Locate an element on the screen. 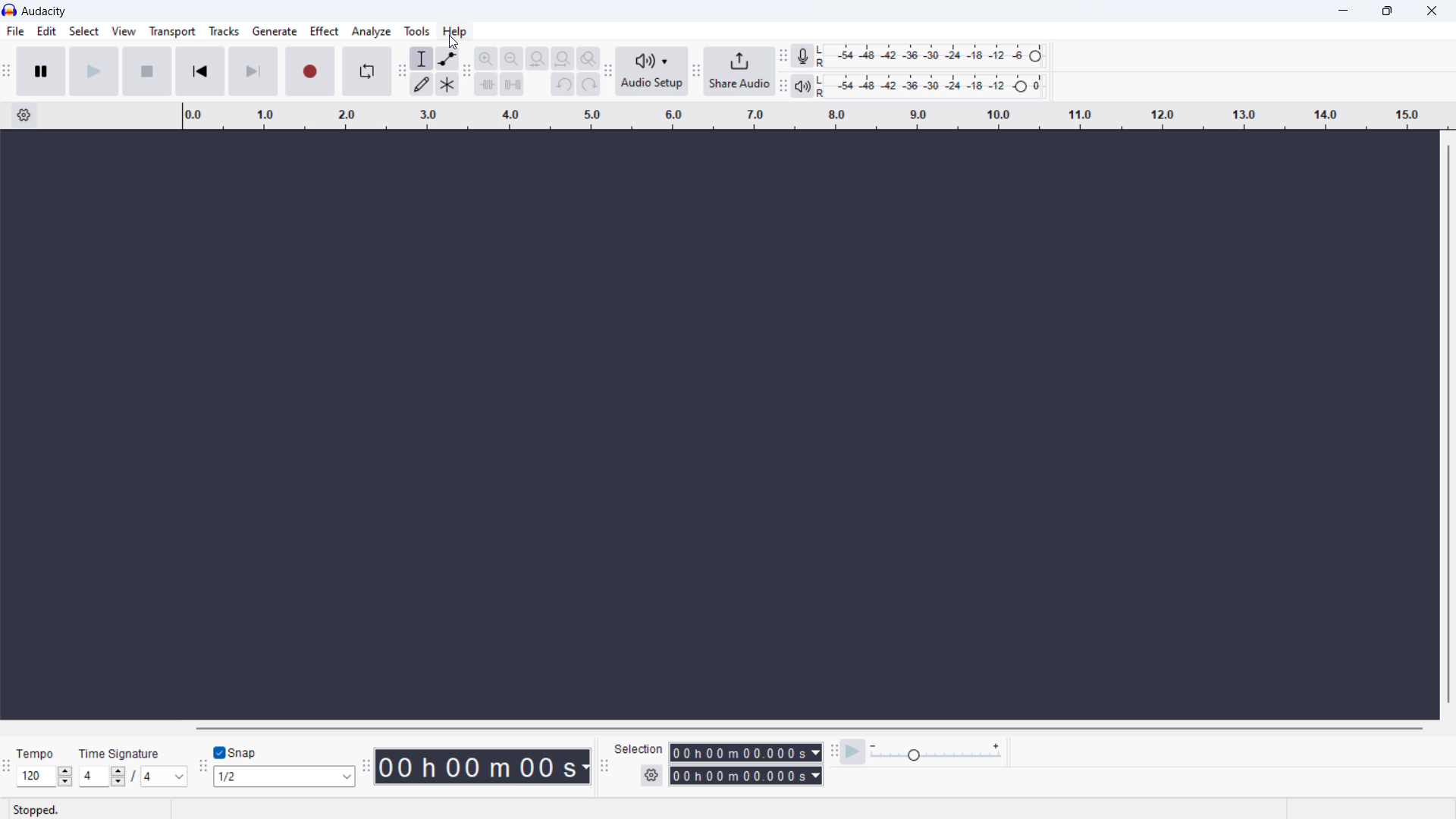 This screenshot has width=1456, height=819. edit is located at coordinates (46, 31).